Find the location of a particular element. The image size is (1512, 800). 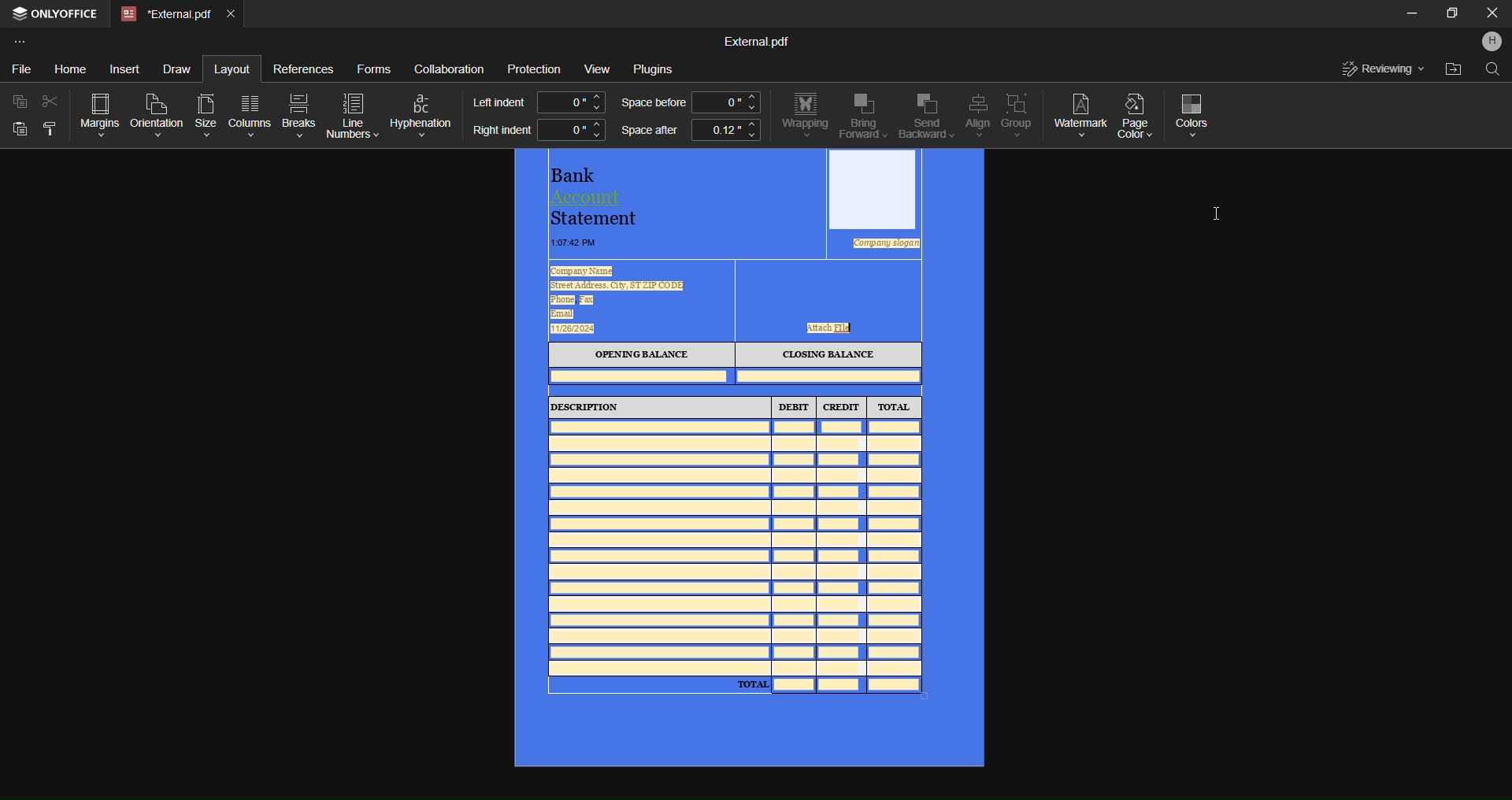

Changed Form Background Color to blue is located at coordinates (750, 461).